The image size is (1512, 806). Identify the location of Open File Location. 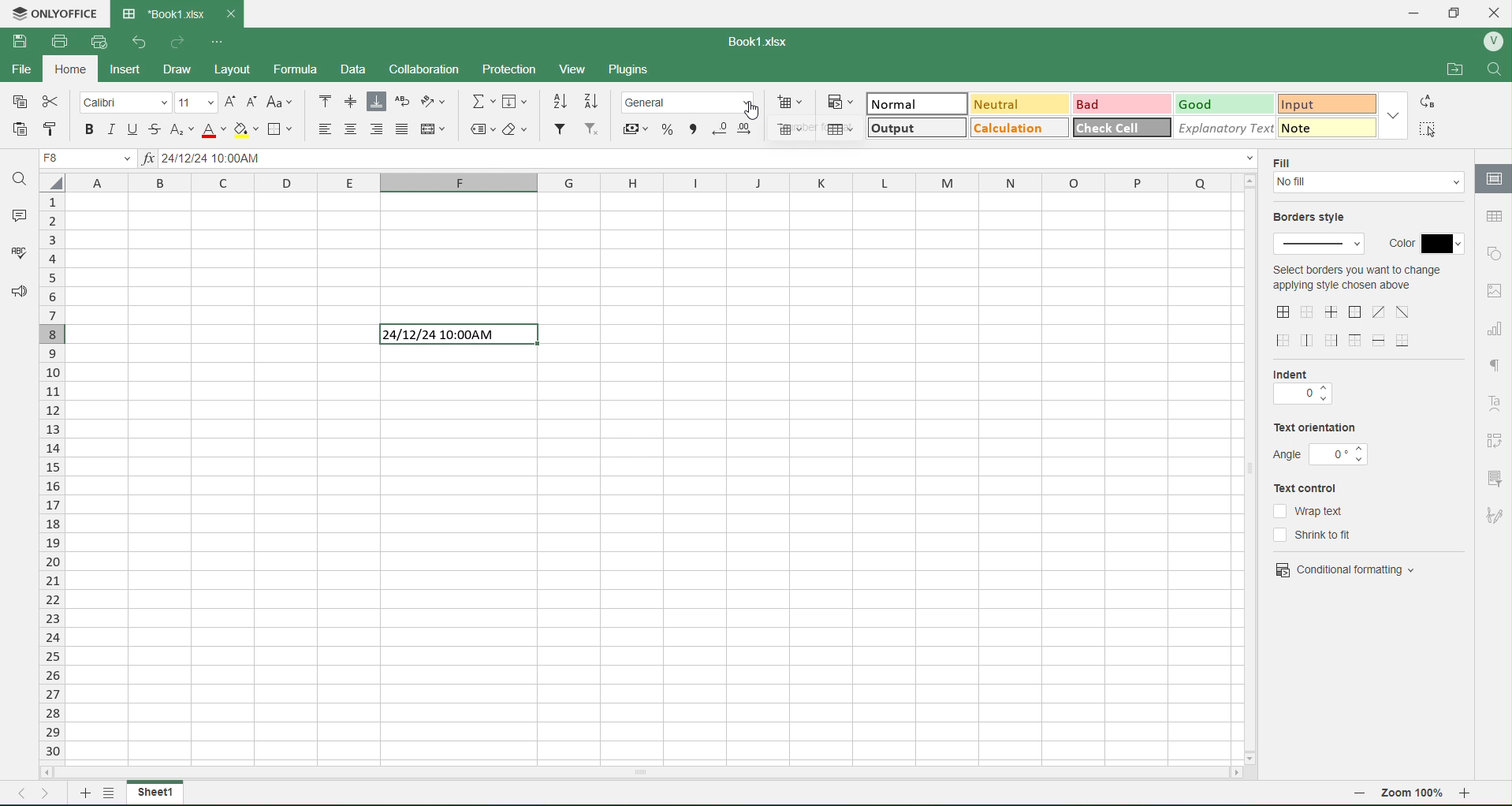
(1446, 65).